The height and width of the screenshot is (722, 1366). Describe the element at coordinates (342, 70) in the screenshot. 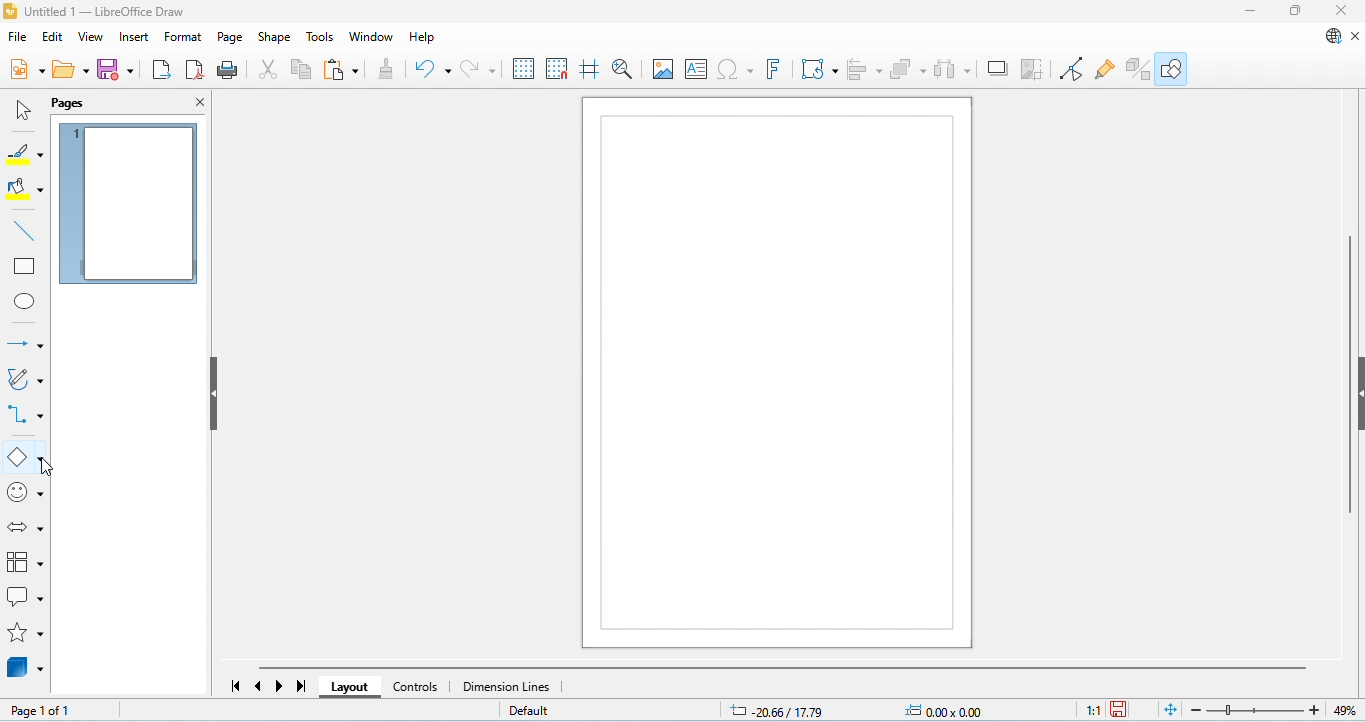

I see `paste` at that location.